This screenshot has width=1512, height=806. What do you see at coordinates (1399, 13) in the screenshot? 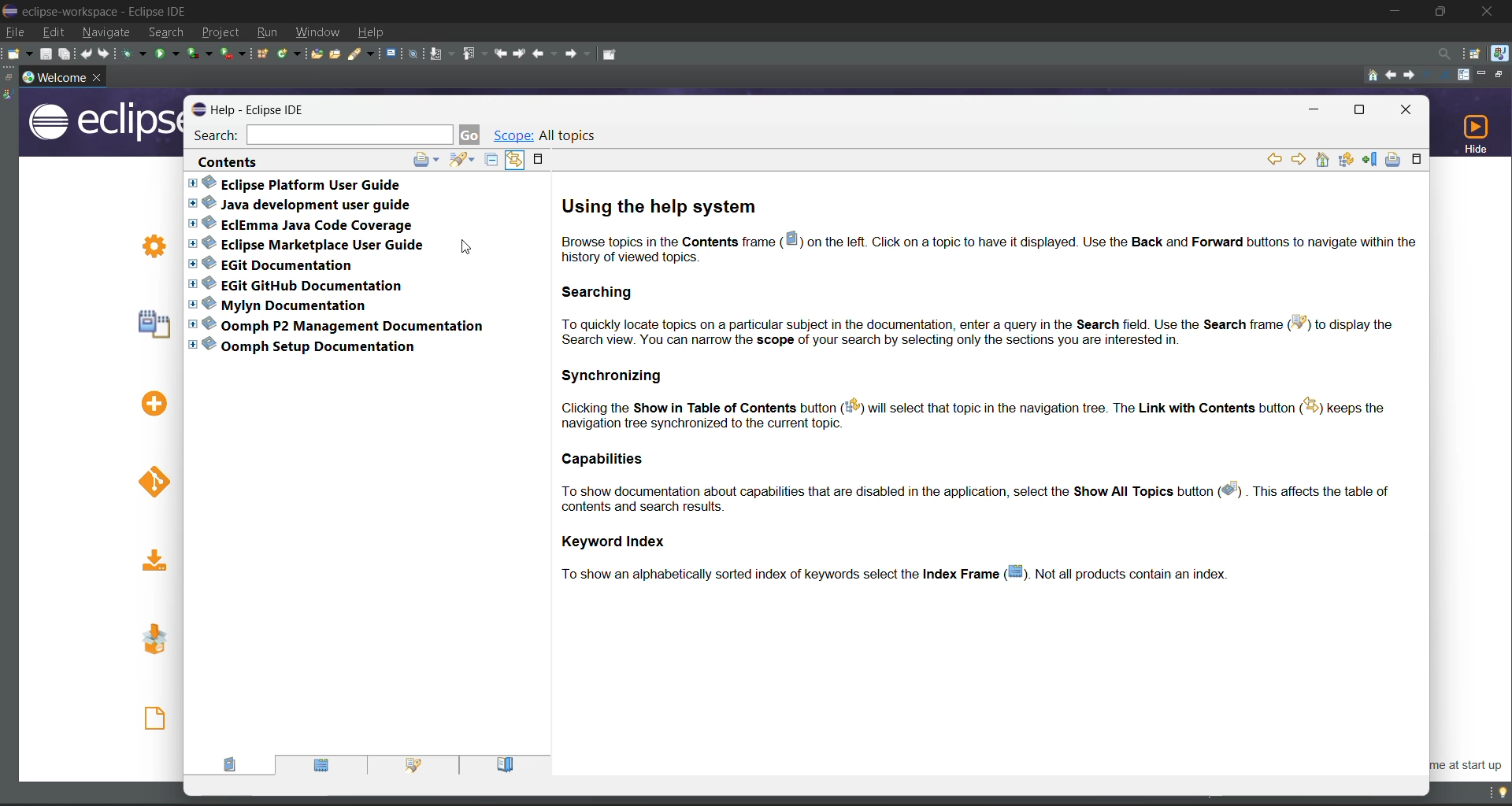
I see `minimize` at bounding box center [1399, 13].